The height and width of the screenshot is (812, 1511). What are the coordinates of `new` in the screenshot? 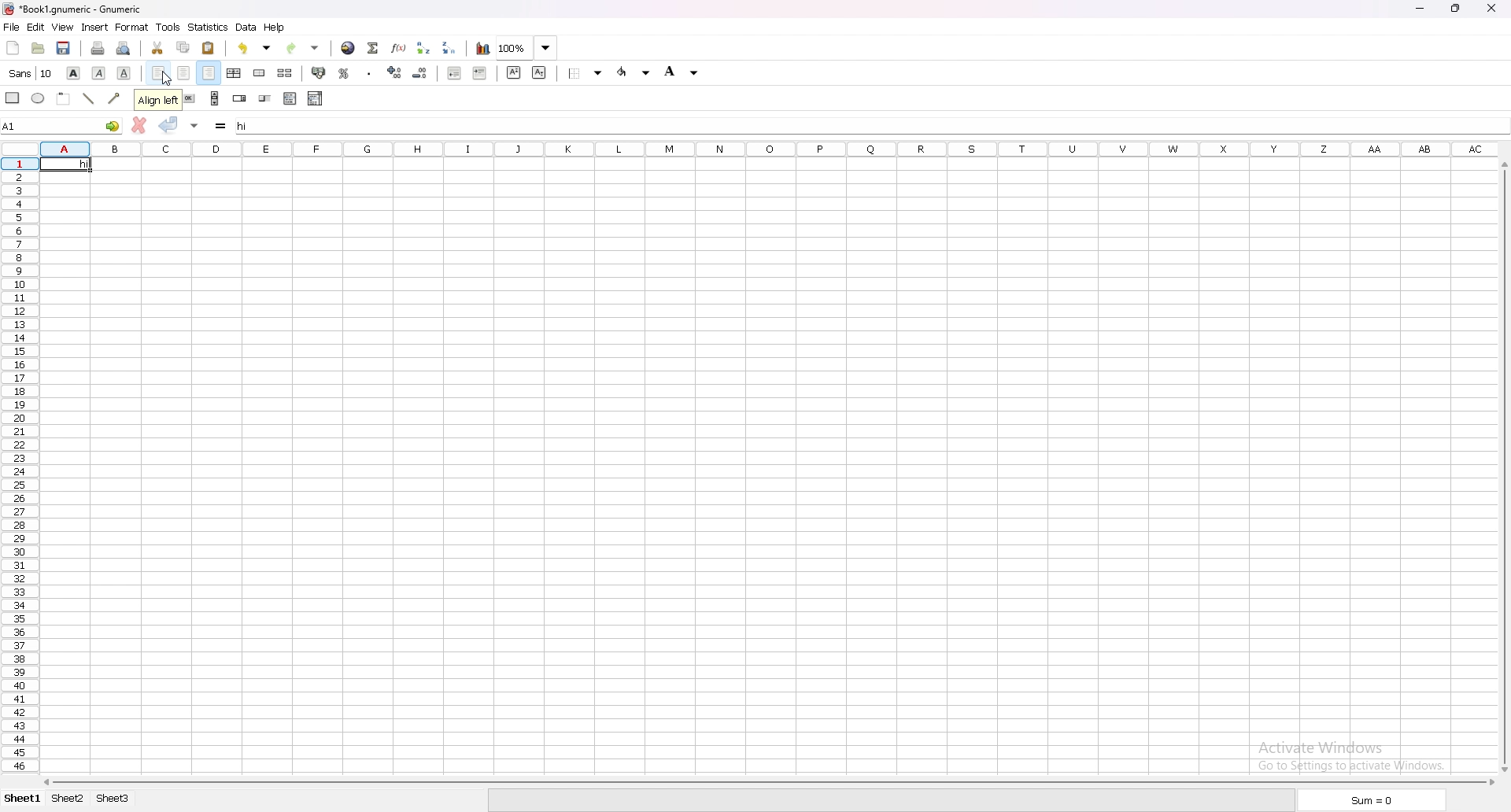 It's located at (12, 47).